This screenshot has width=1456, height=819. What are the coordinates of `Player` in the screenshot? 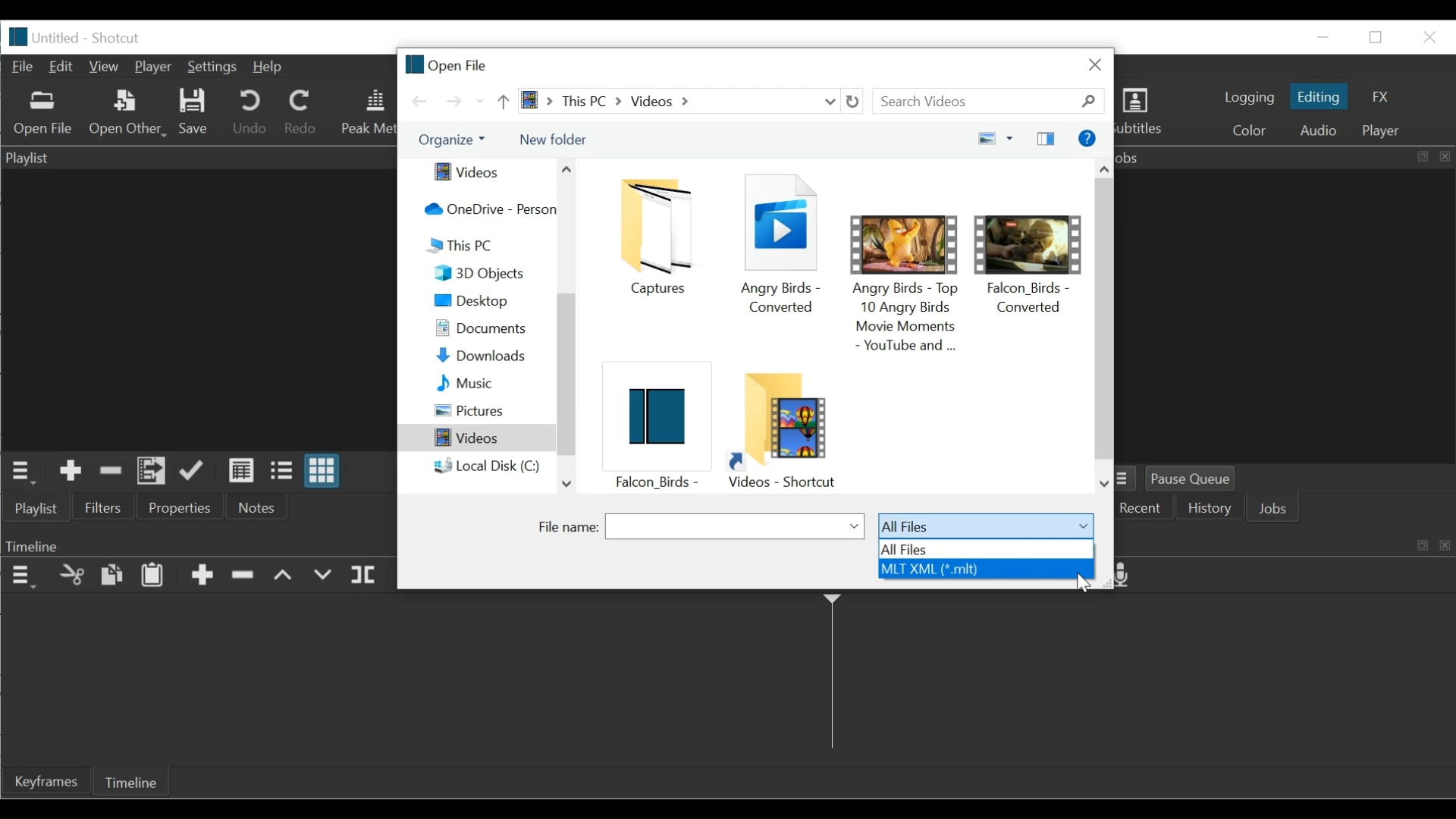 It's located at (153, 67).